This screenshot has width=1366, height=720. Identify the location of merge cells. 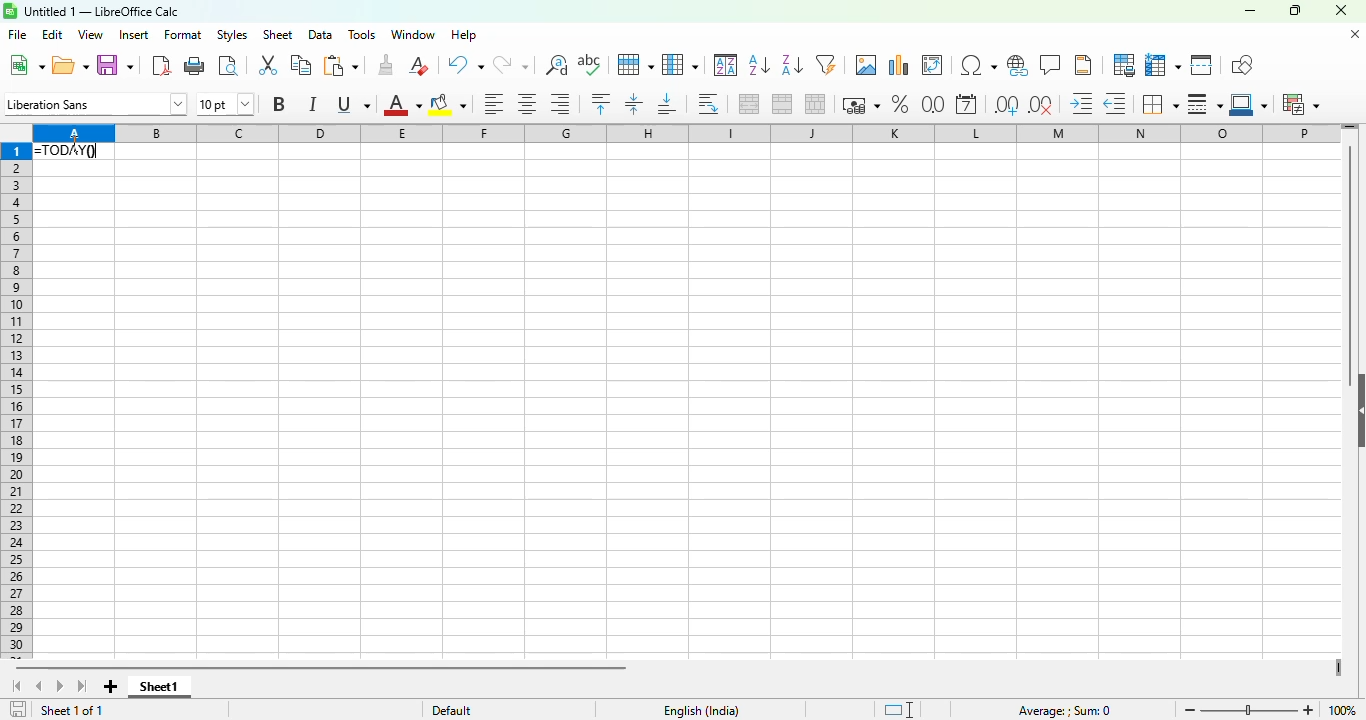
(783, 104).